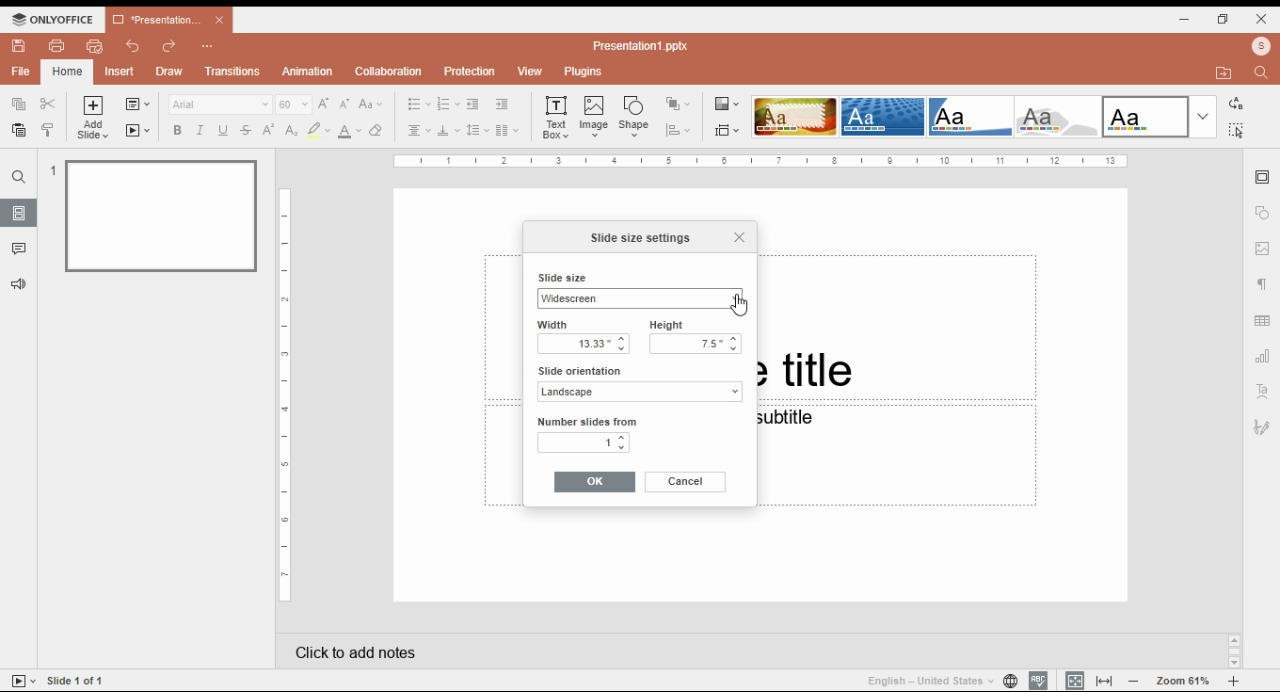 This screenshot has width=1280, height=692. Describe the element at coordinates (17, 102) in the screenshot. I see `copy` at that location.